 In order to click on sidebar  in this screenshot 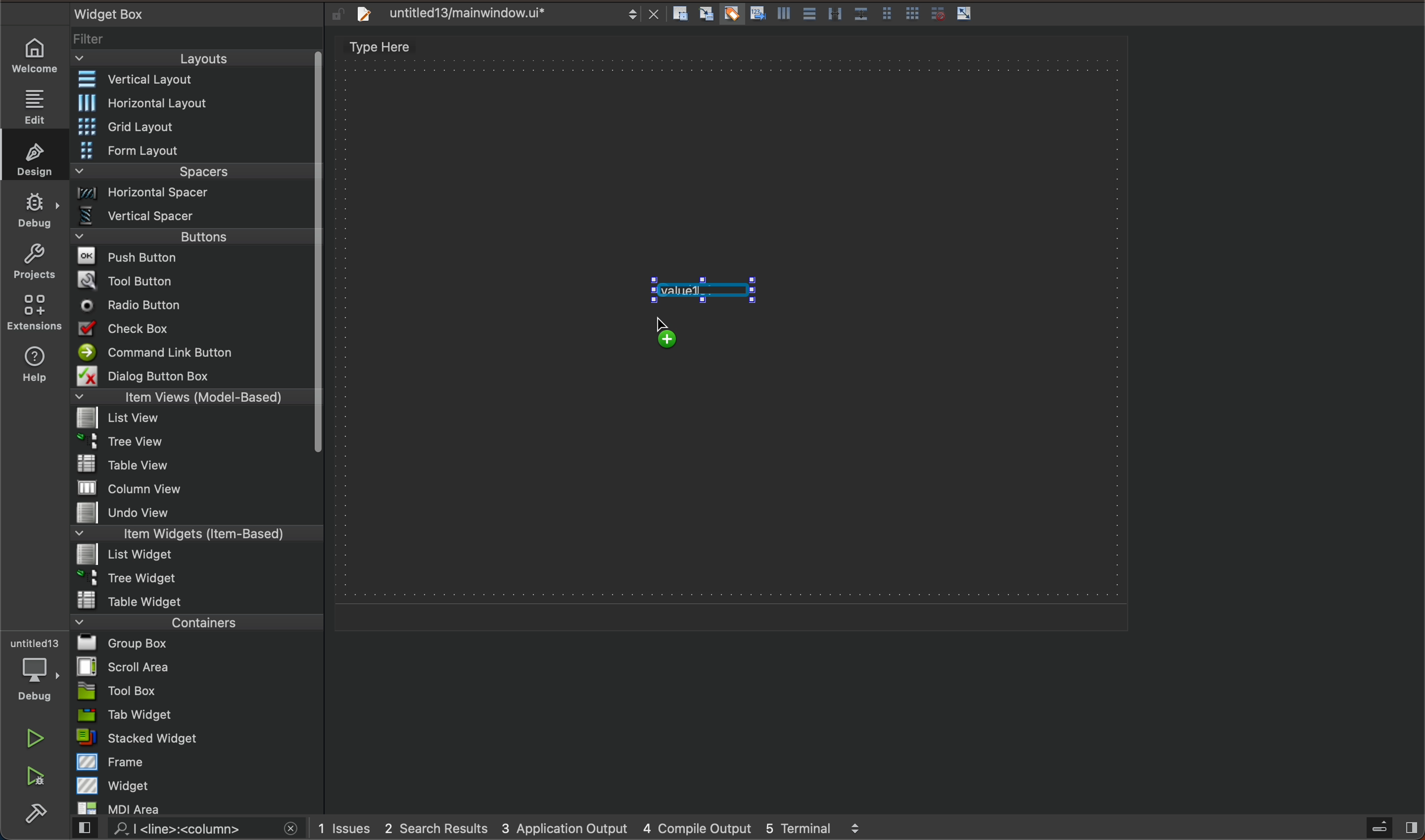, I will do `click(1381, 828)`.